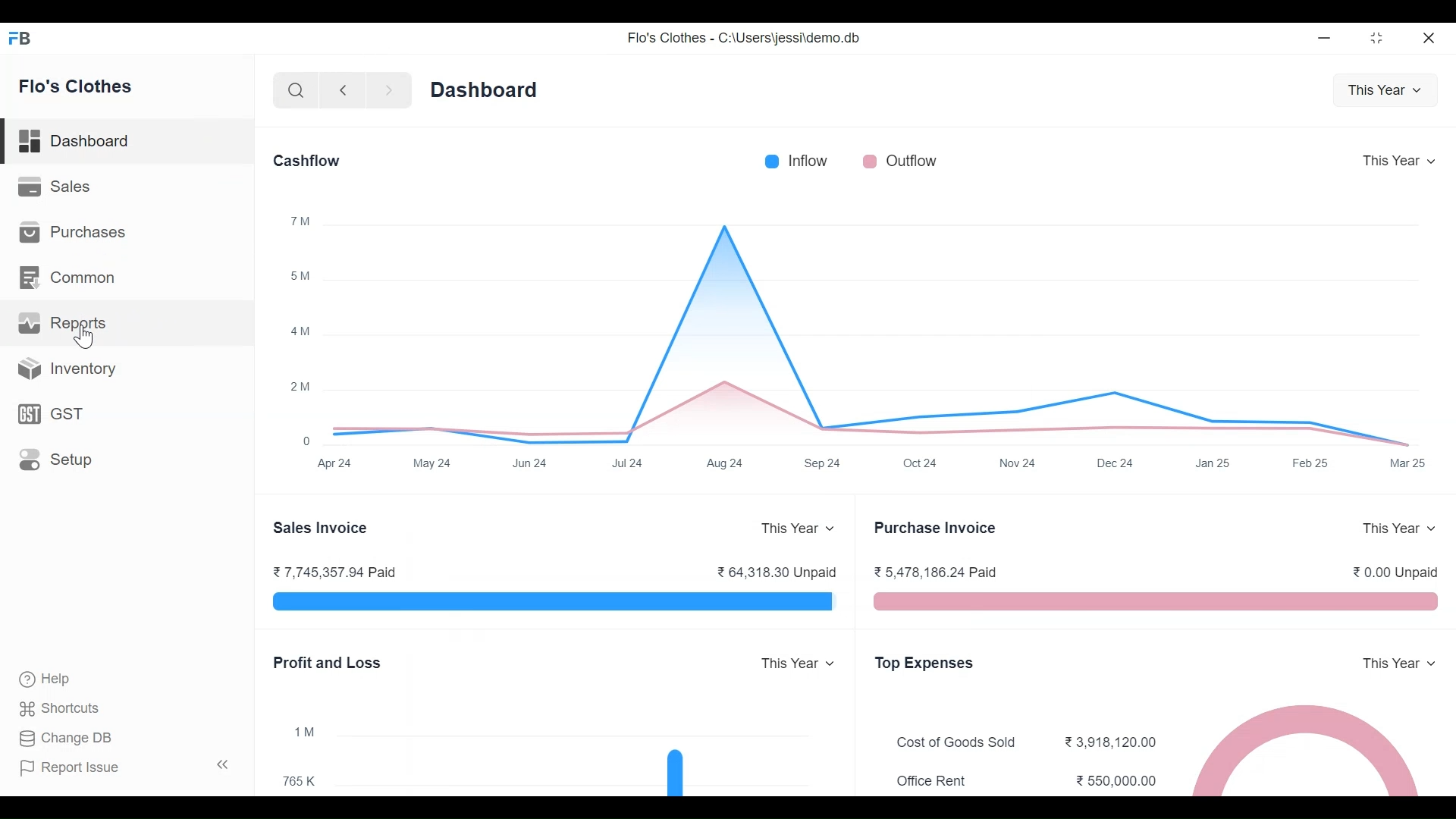 The width and height of the screenshot is (1456, 819). I want to click on close, so click(1430, 37).